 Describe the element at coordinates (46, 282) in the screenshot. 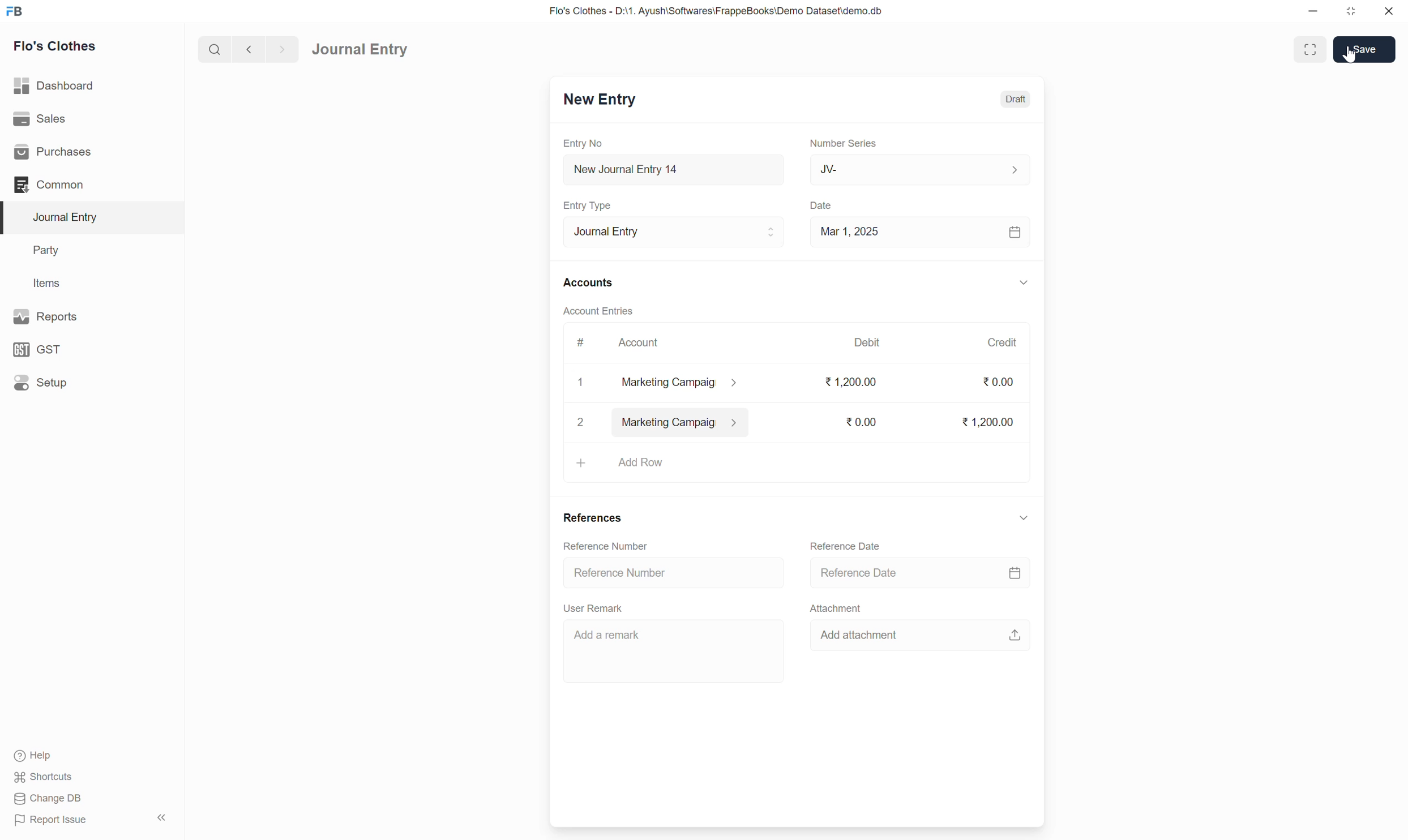

I see `Items` at that location.